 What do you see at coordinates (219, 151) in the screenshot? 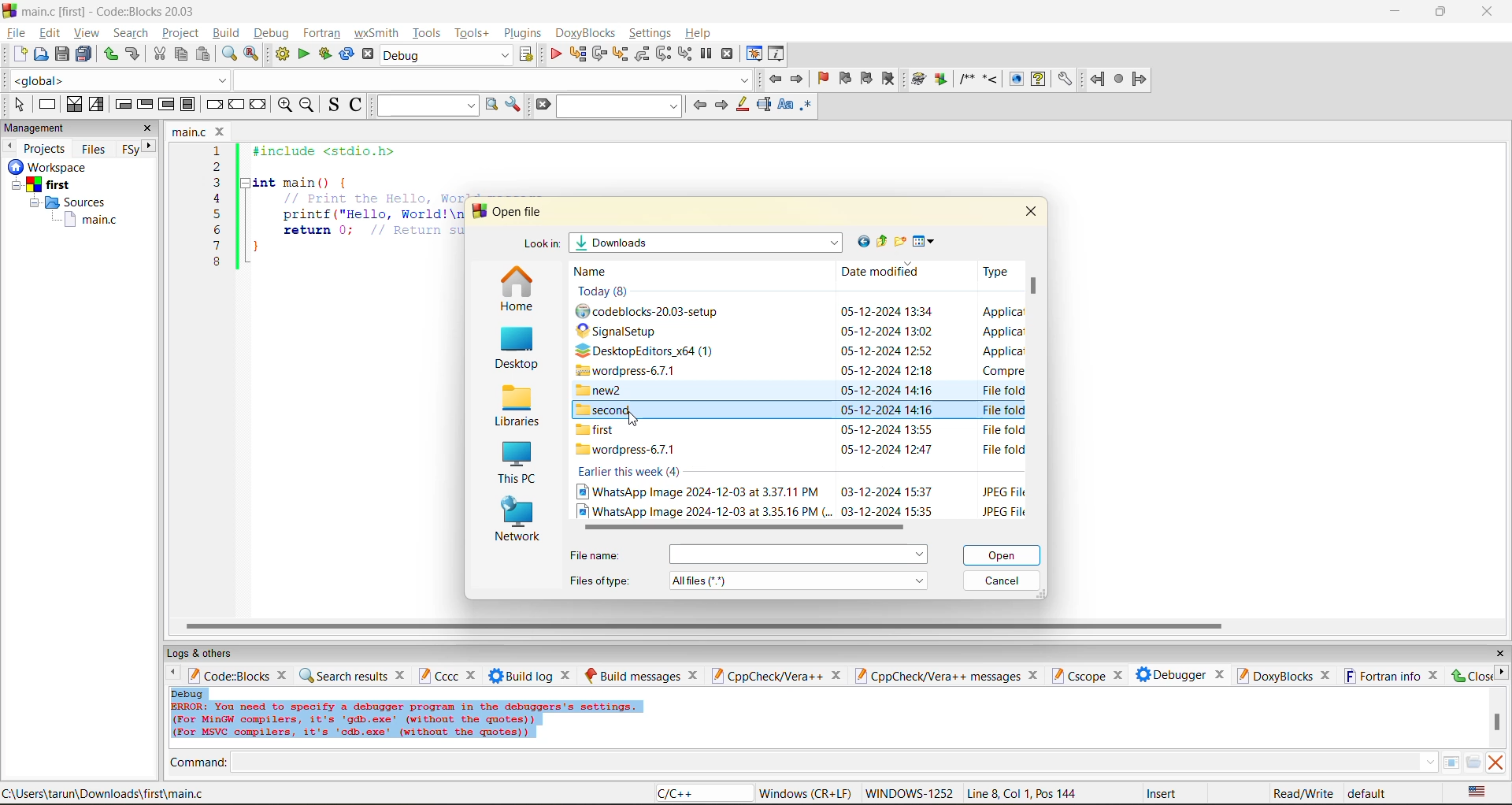
I see `1` at bounding box center [219, 151].